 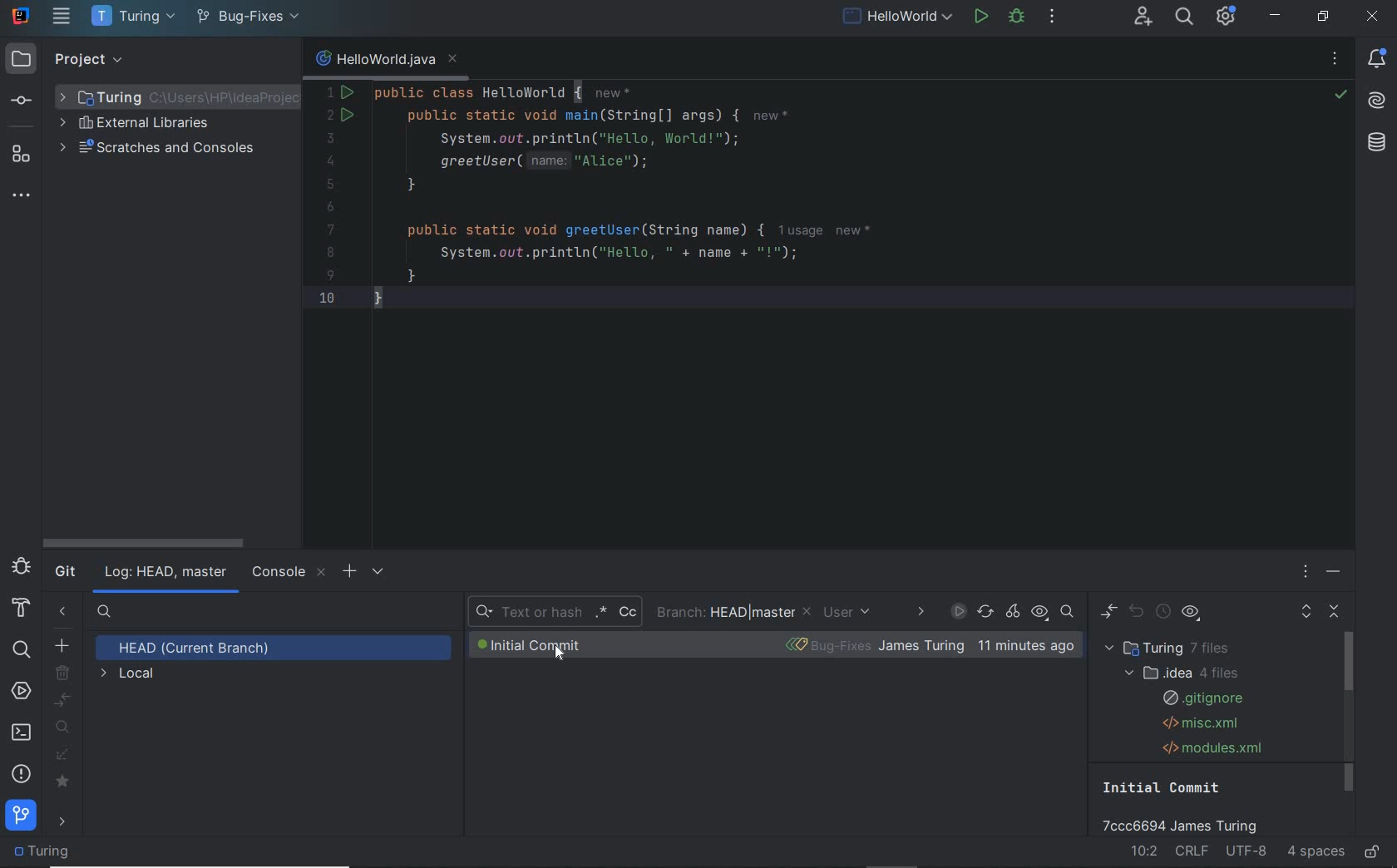 I want to click on make file ready only, so click(x=1373, y=853).